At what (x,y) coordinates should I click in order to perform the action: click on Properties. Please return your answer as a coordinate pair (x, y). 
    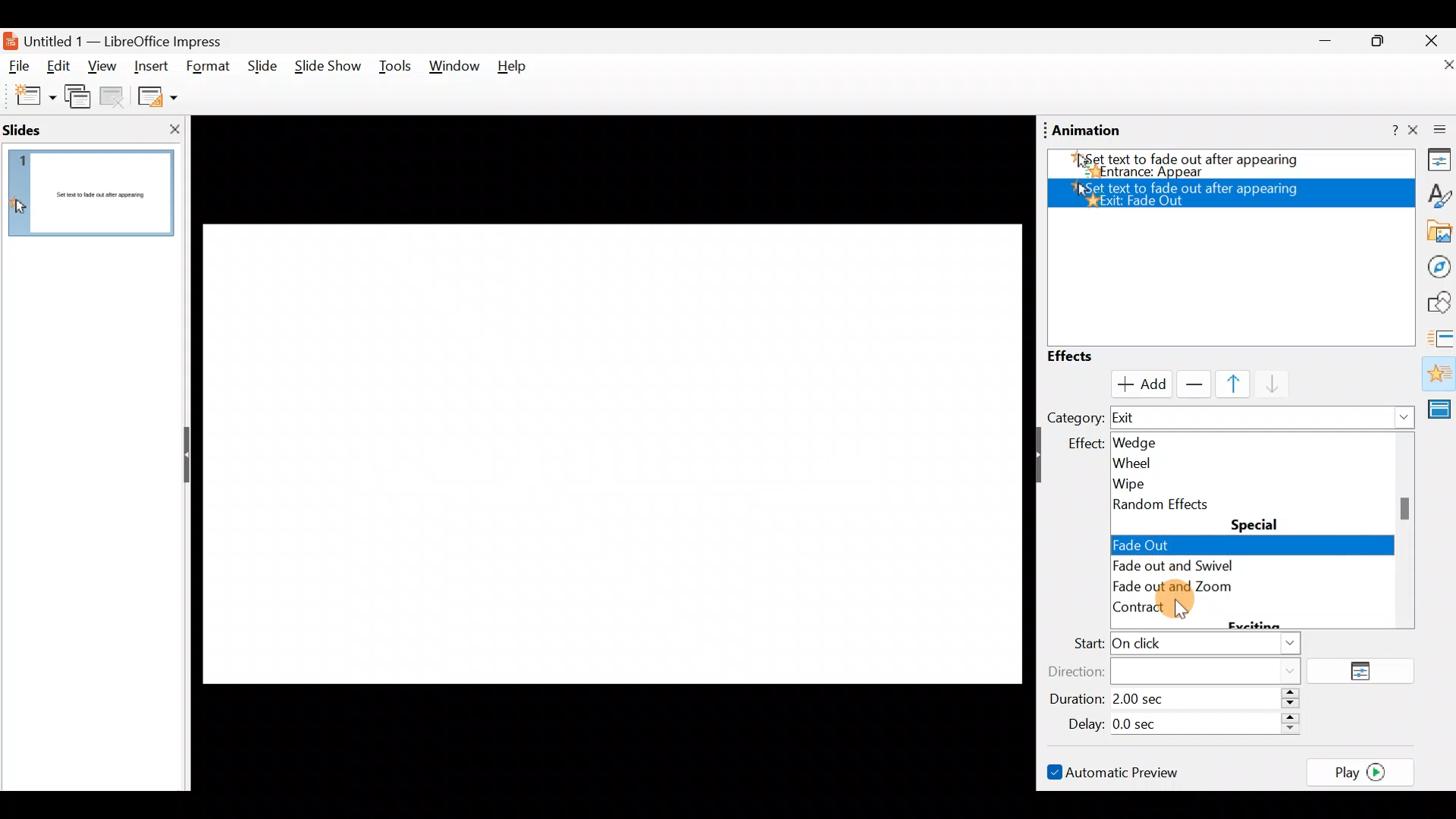
    Looking at the image, I should click on (1435, 162).